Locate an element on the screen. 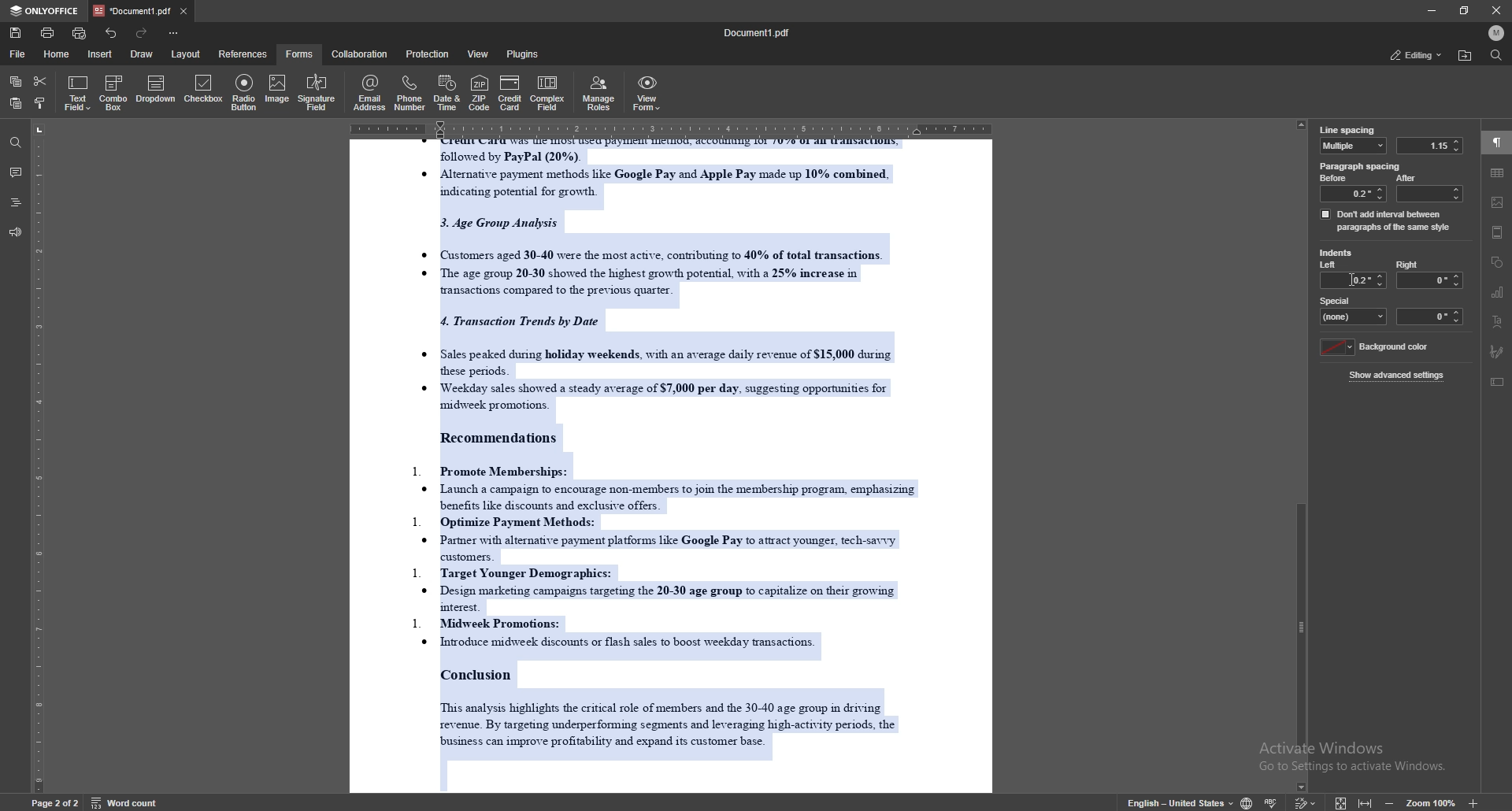 This screenshot has width=1512, height=811. change doc language is located at coordinates (1247, 802).